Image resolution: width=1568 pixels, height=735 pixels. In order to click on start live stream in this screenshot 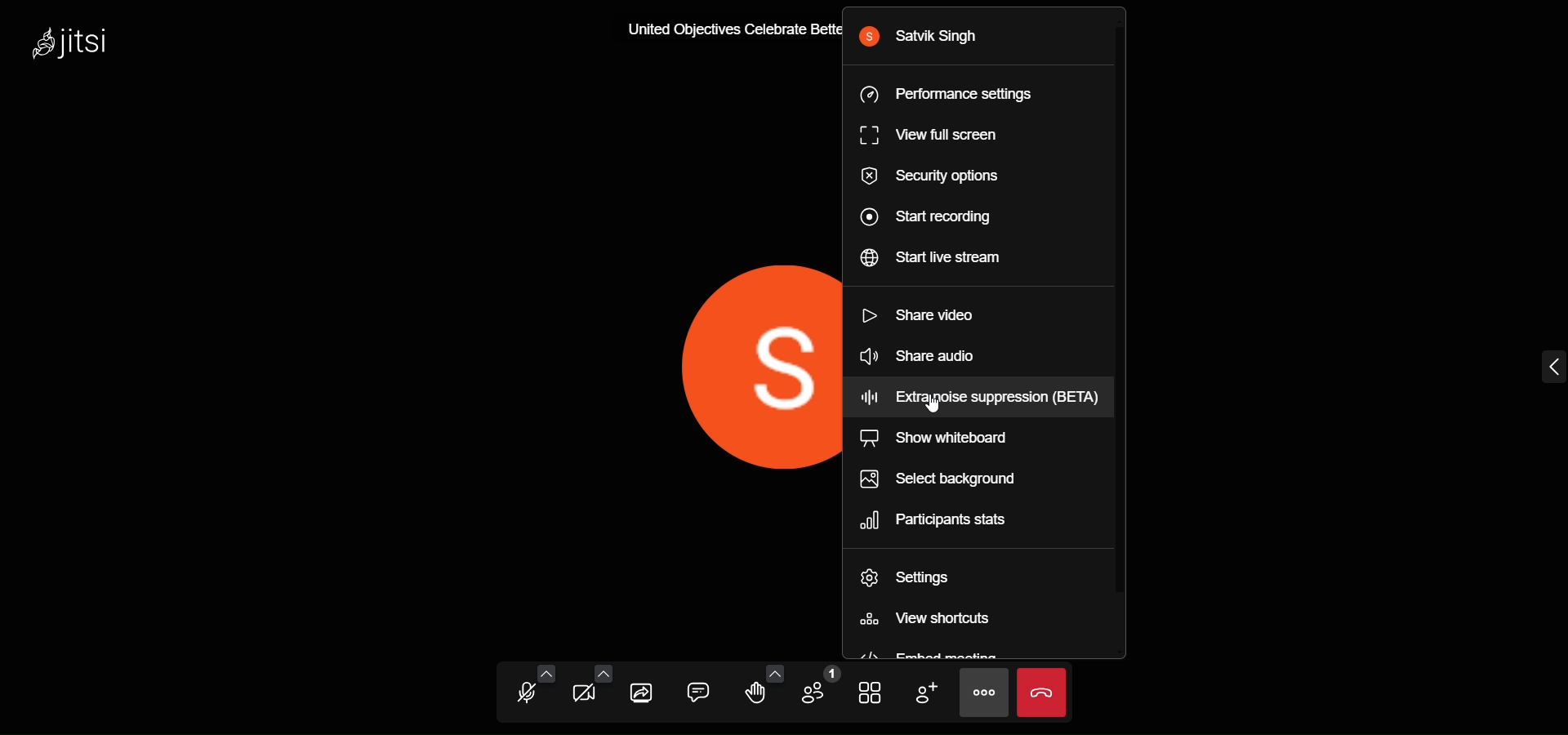, I will do `click(934, 258)`.